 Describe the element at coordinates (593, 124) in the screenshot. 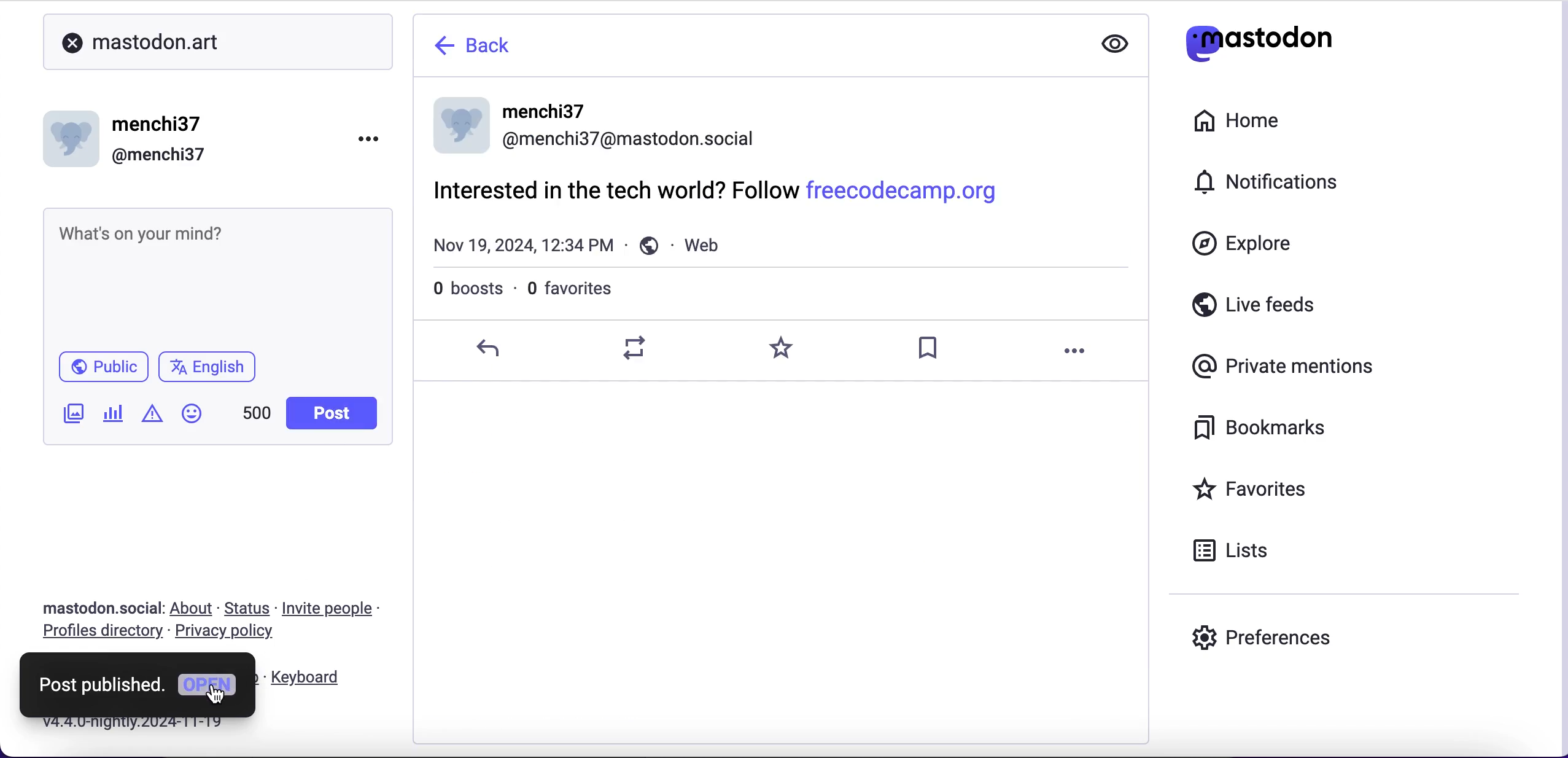

I see `user` at that location.